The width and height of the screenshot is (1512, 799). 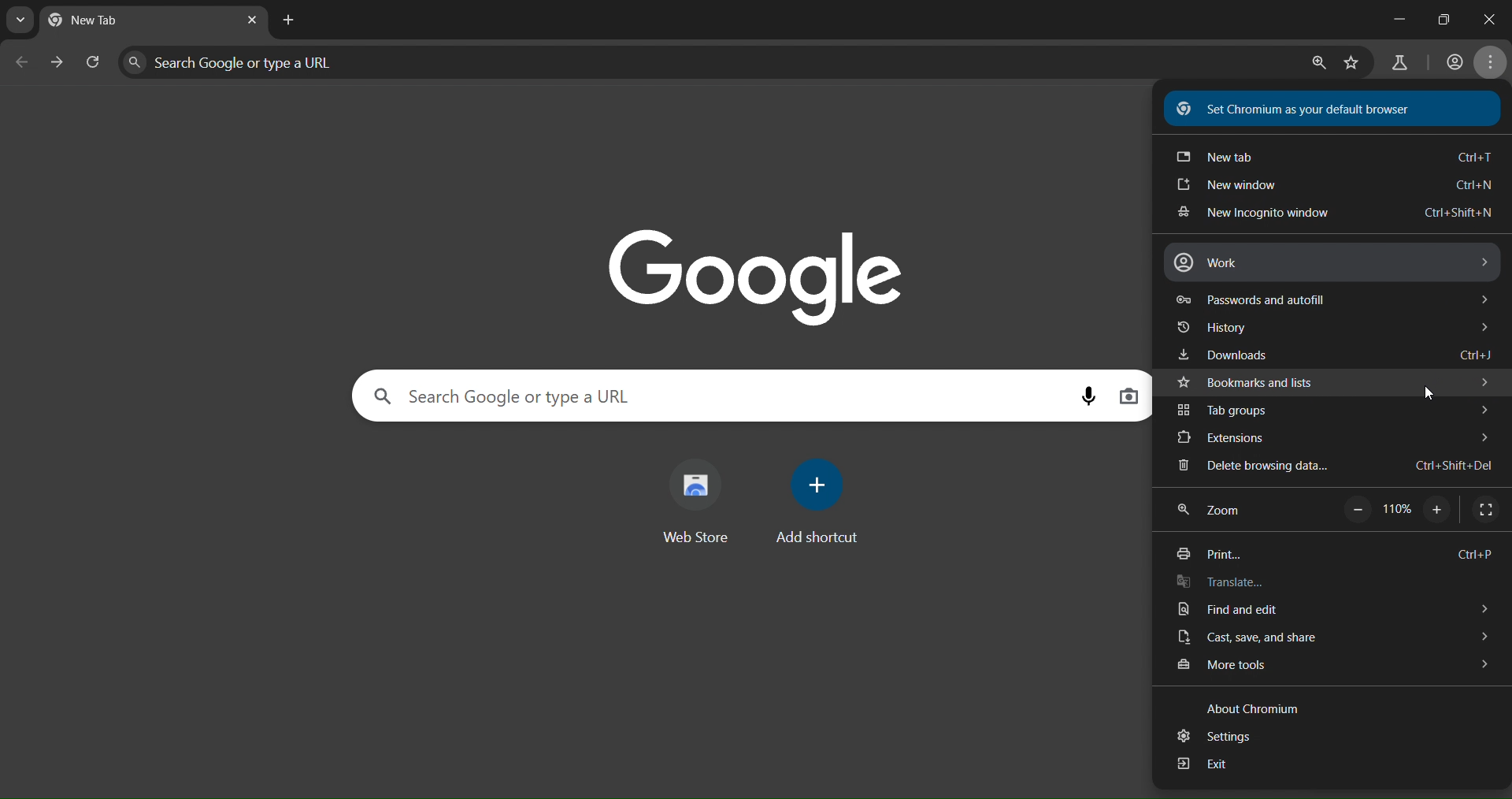 What do you see at coordinates (1385, 21) in the screenshot?
I see `minimize` at bounding box center [1385, 21].